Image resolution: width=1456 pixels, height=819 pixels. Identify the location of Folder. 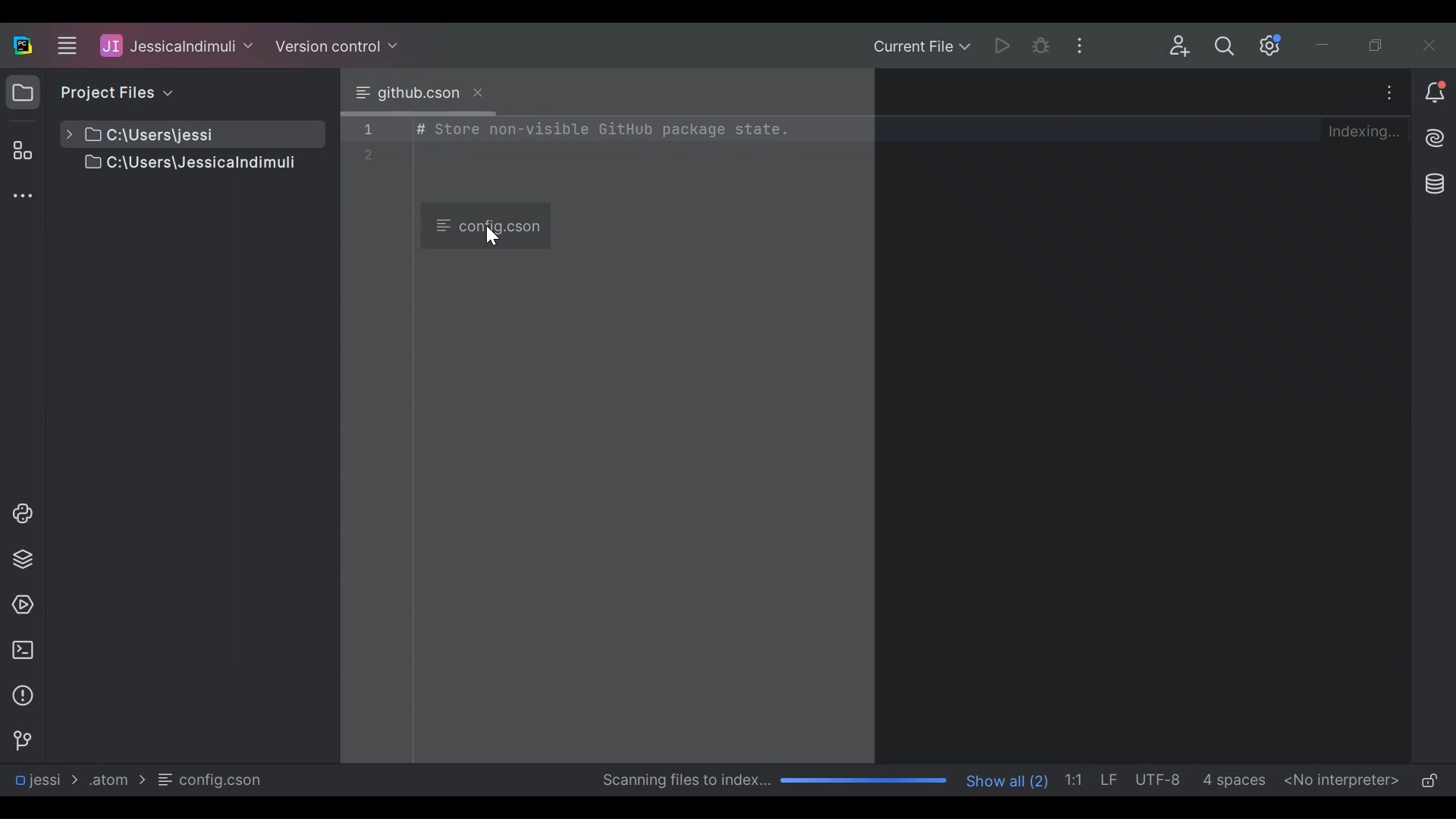
(115, 779).